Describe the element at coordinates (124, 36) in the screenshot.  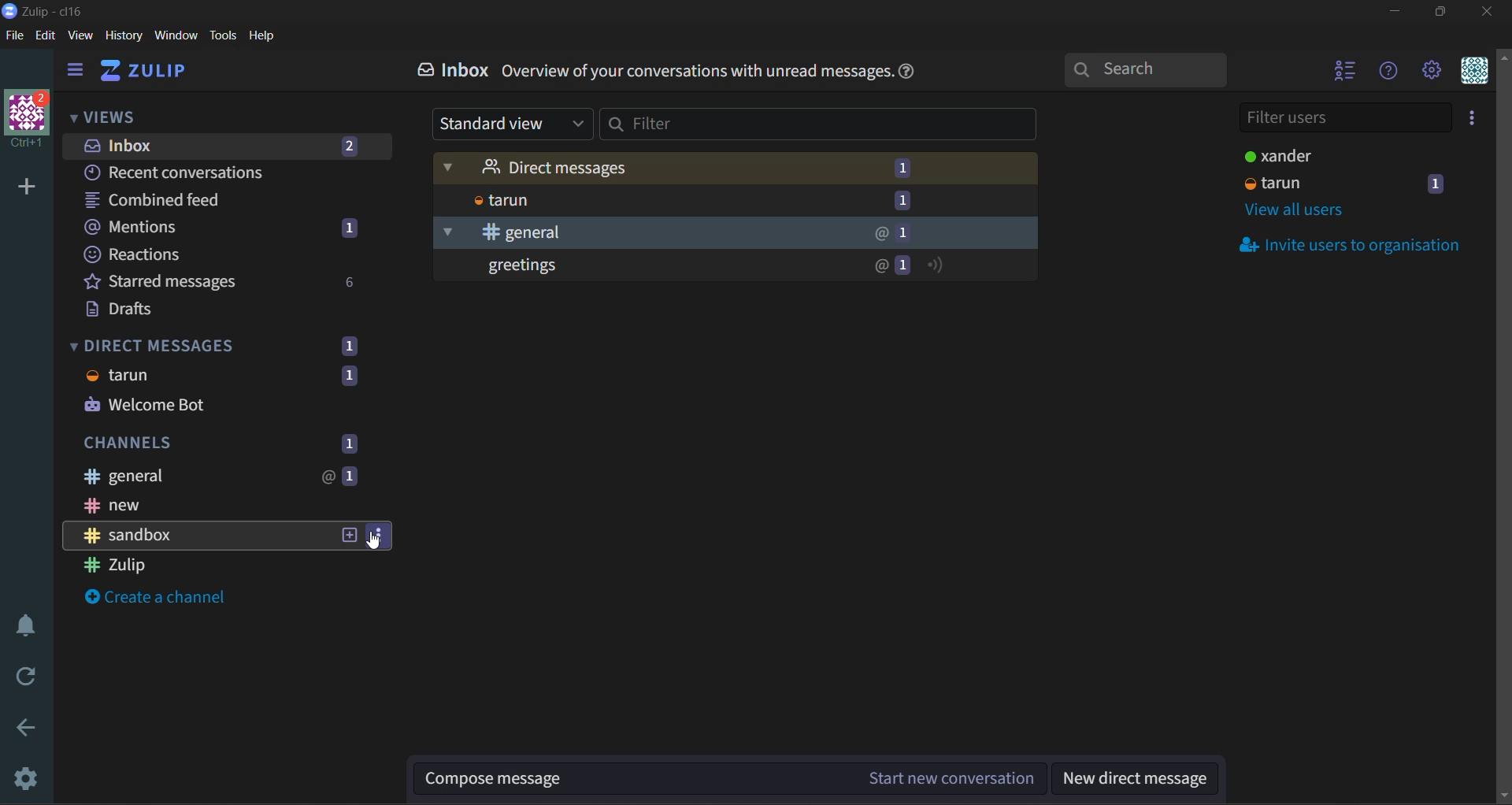
I see `history` at that location.